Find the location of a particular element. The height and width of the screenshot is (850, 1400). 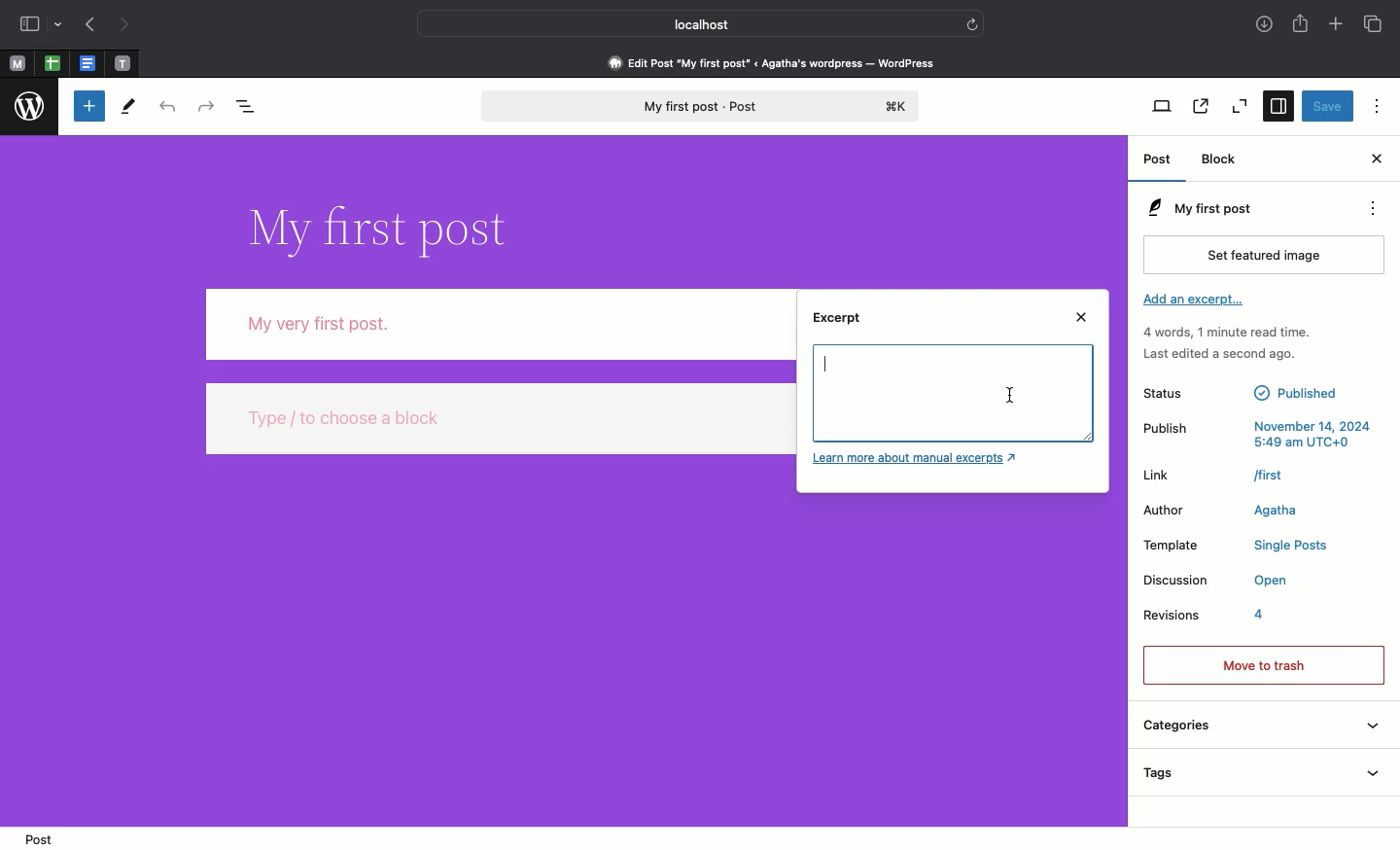

Next page is located at coordinates (129, 23).